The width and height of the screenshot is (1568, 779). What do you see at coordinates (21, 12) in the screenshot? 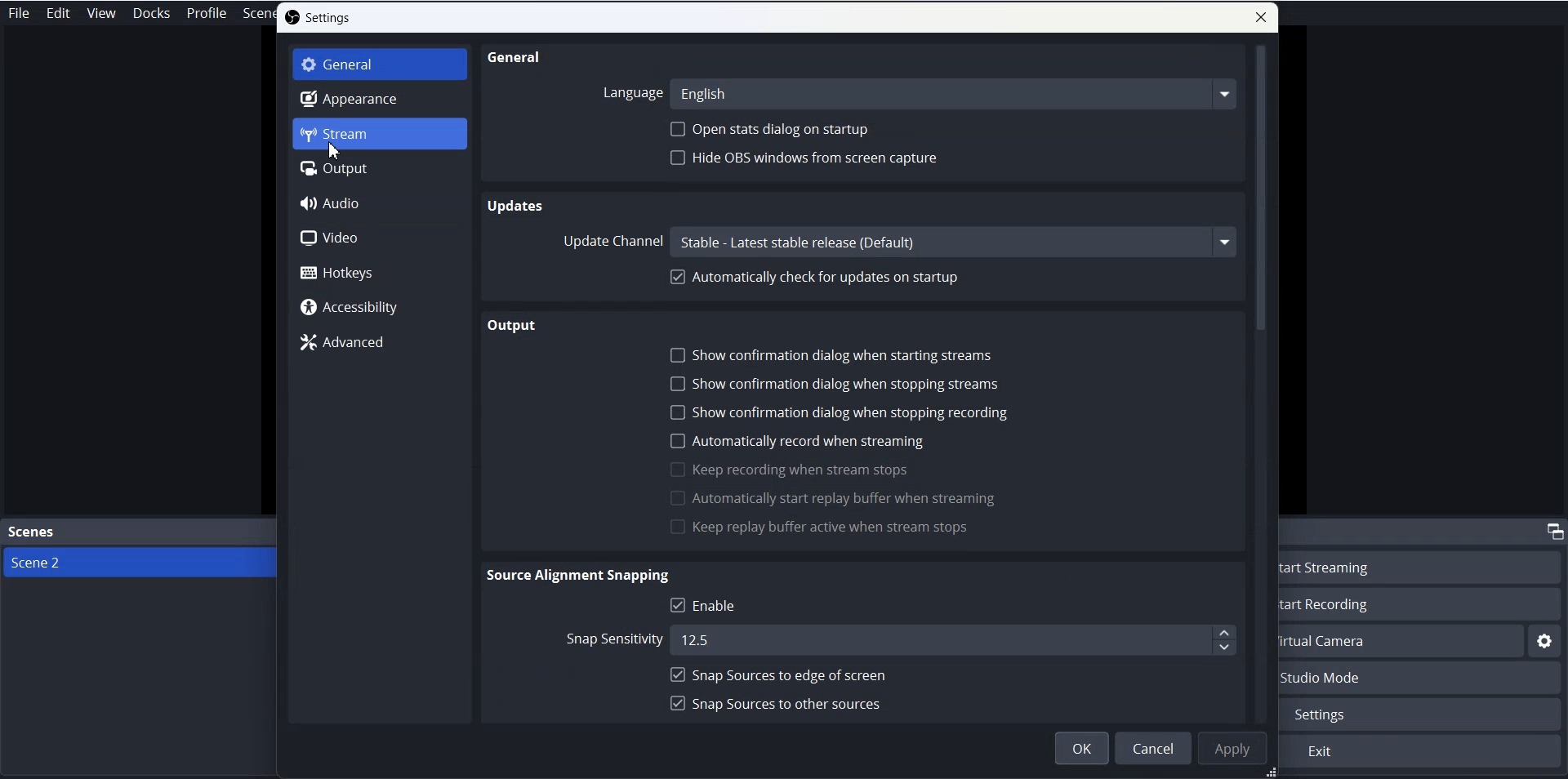
I see `File` at bounding box center [21, 12].